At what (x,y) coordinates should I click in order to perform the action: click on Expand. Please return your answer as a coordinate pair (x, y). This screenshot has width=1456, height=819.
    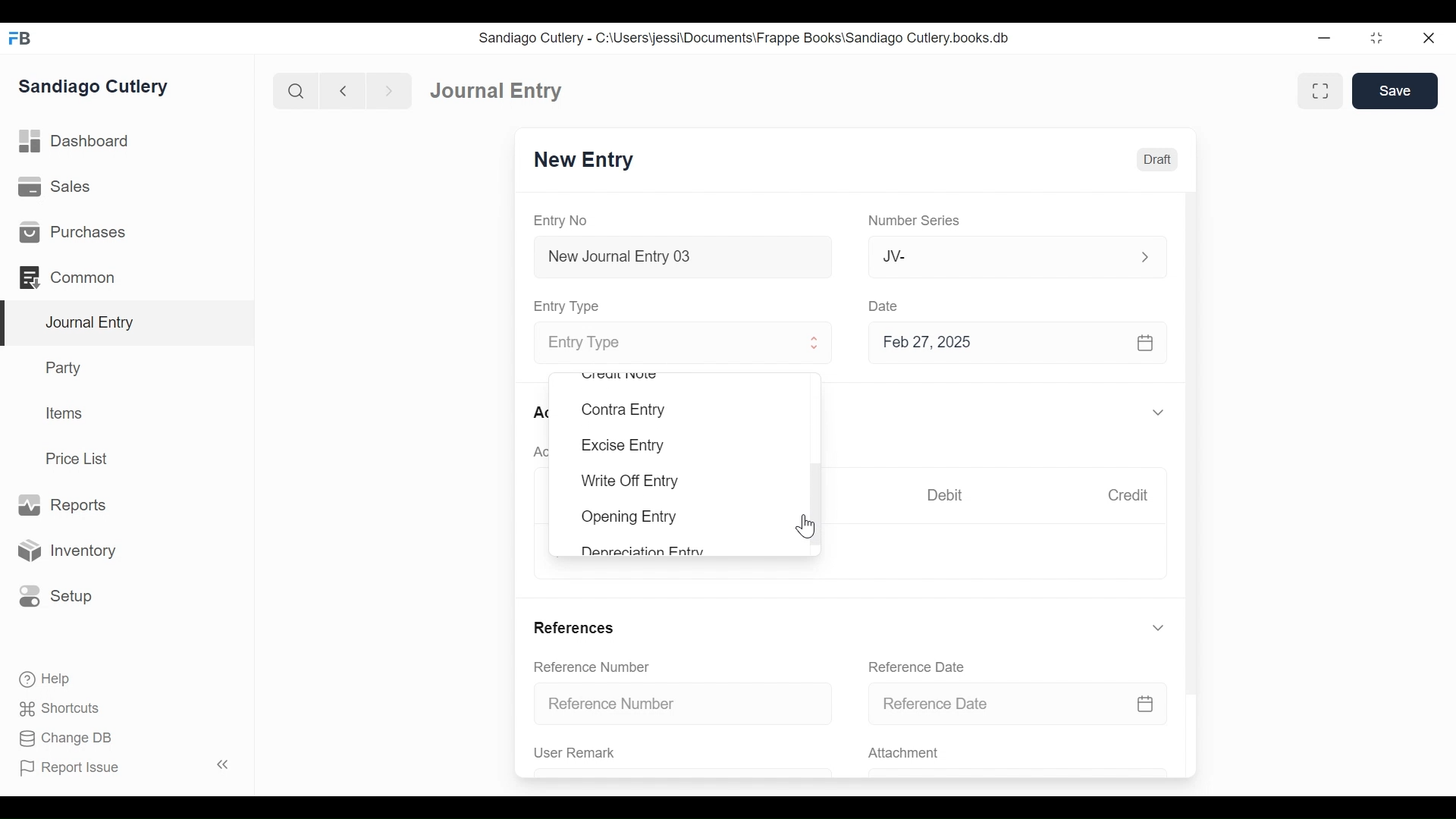
    Looking at the image, I should click on (1160, 412).